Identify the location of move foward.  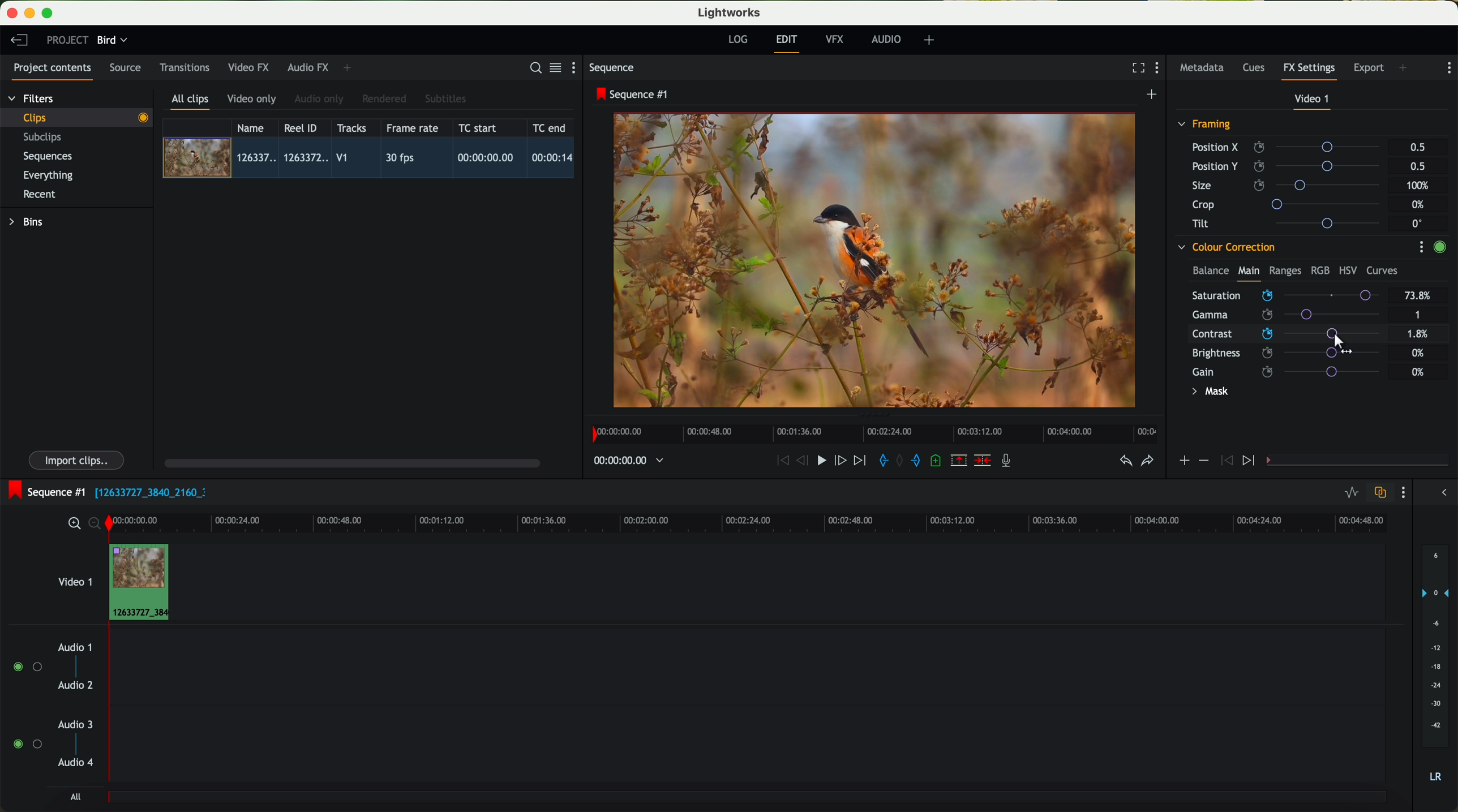
(859, 461).